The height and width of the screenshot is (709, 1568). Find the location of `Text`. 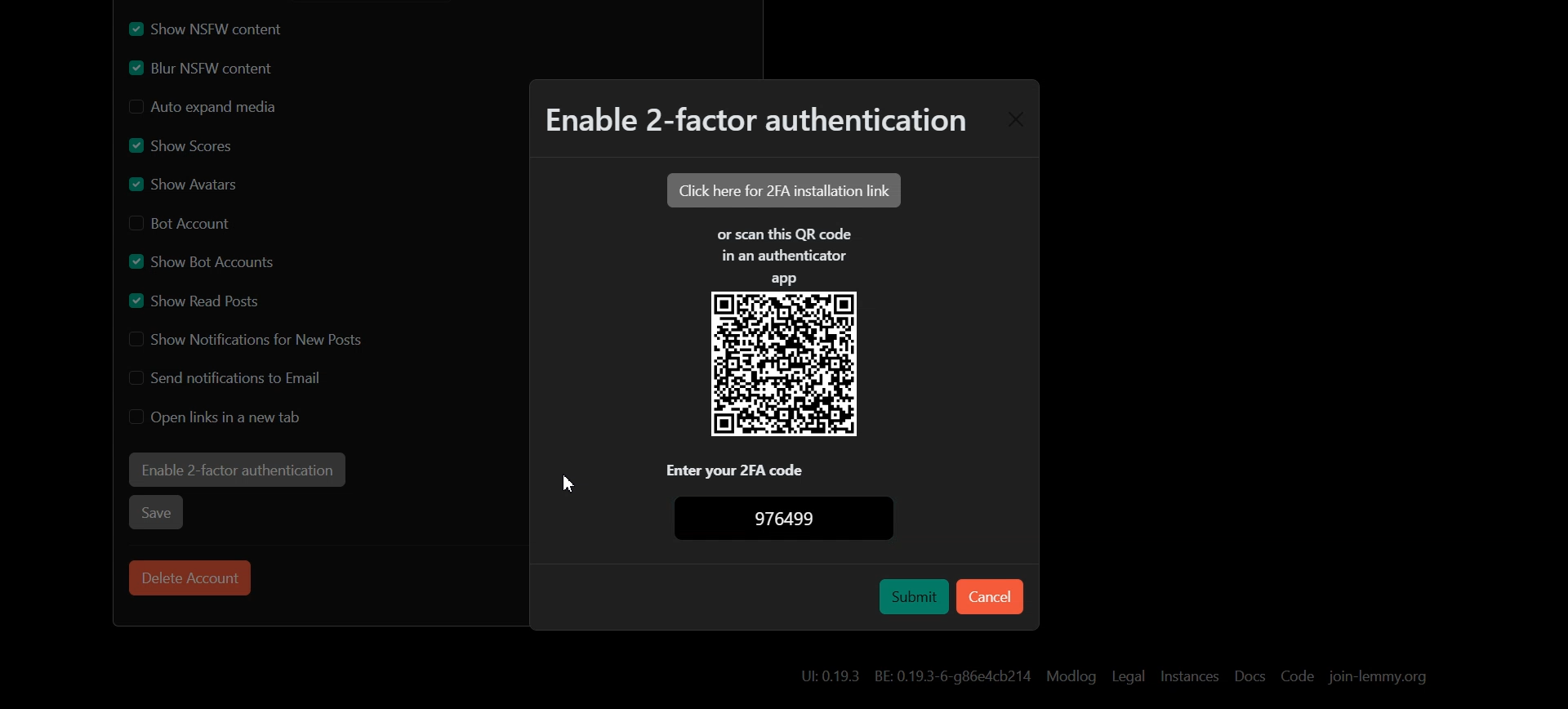

Text is located at coordinates (784, 256).